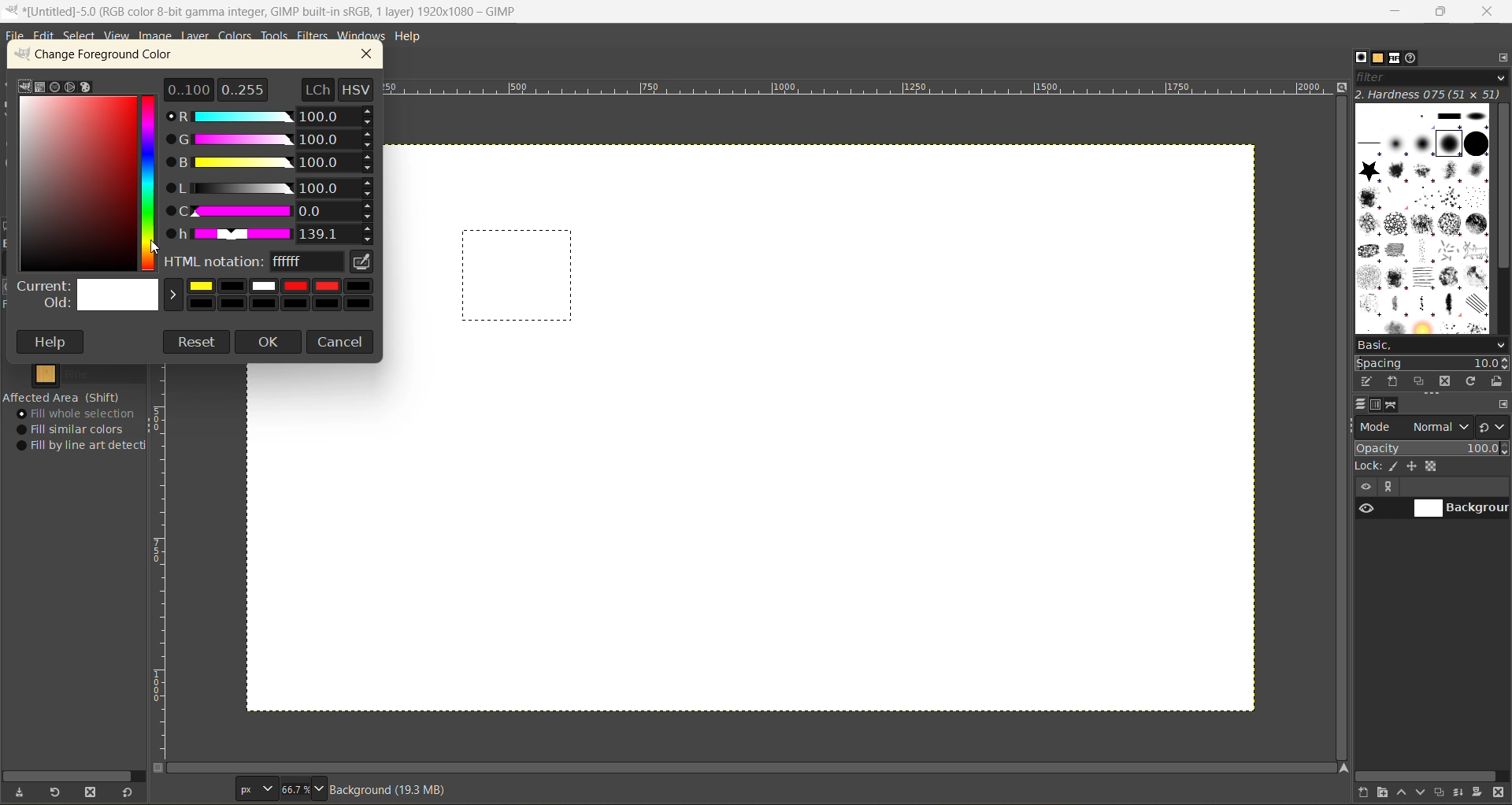 This screenshot has width=1512, height=805. What do you see at coordinates (57, 793) in the screenshot?
I see `restore tool preset` at bounding box center [57, 793].